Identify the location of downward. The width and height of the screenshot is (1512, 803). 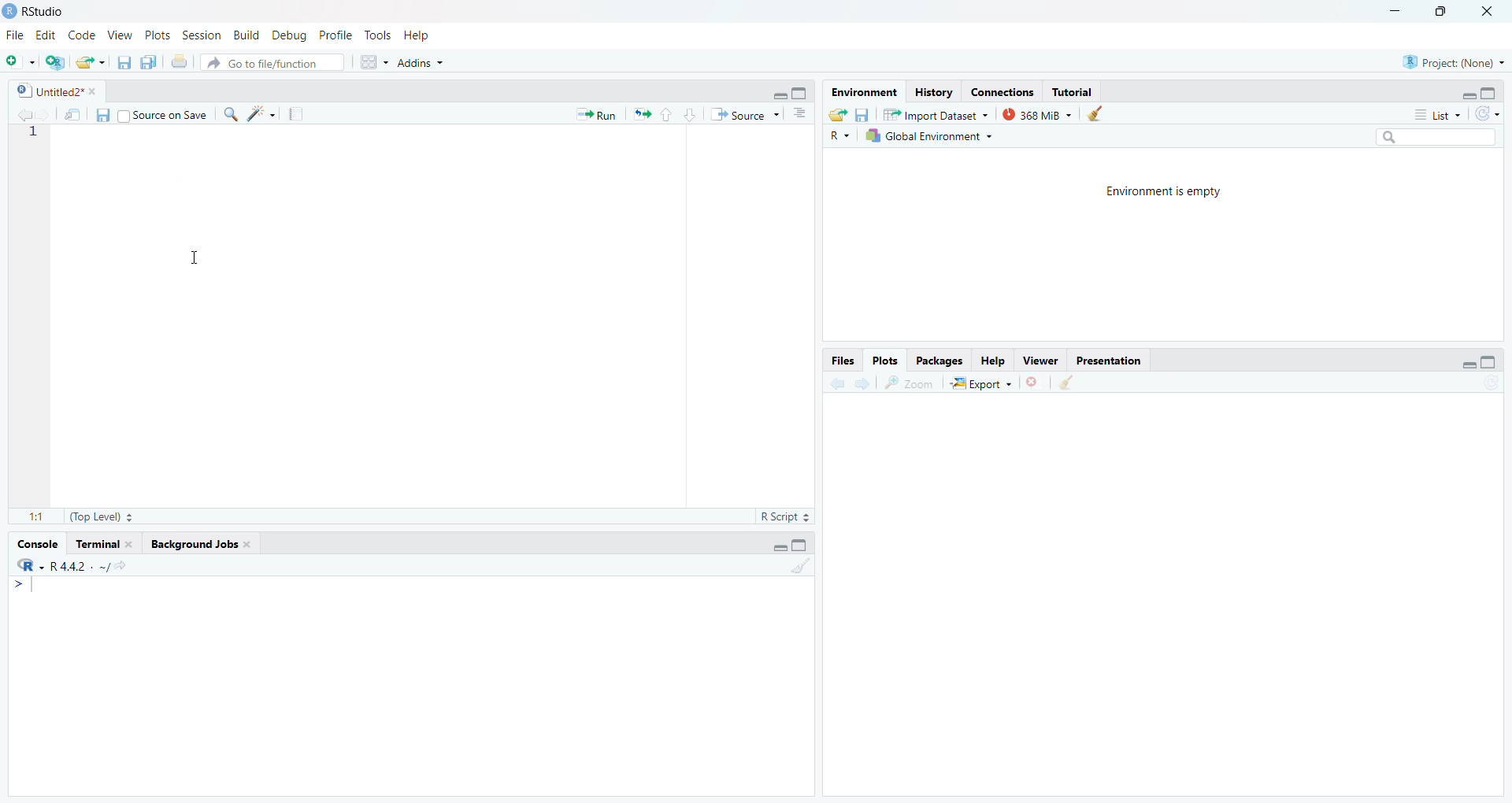
(691, 117).